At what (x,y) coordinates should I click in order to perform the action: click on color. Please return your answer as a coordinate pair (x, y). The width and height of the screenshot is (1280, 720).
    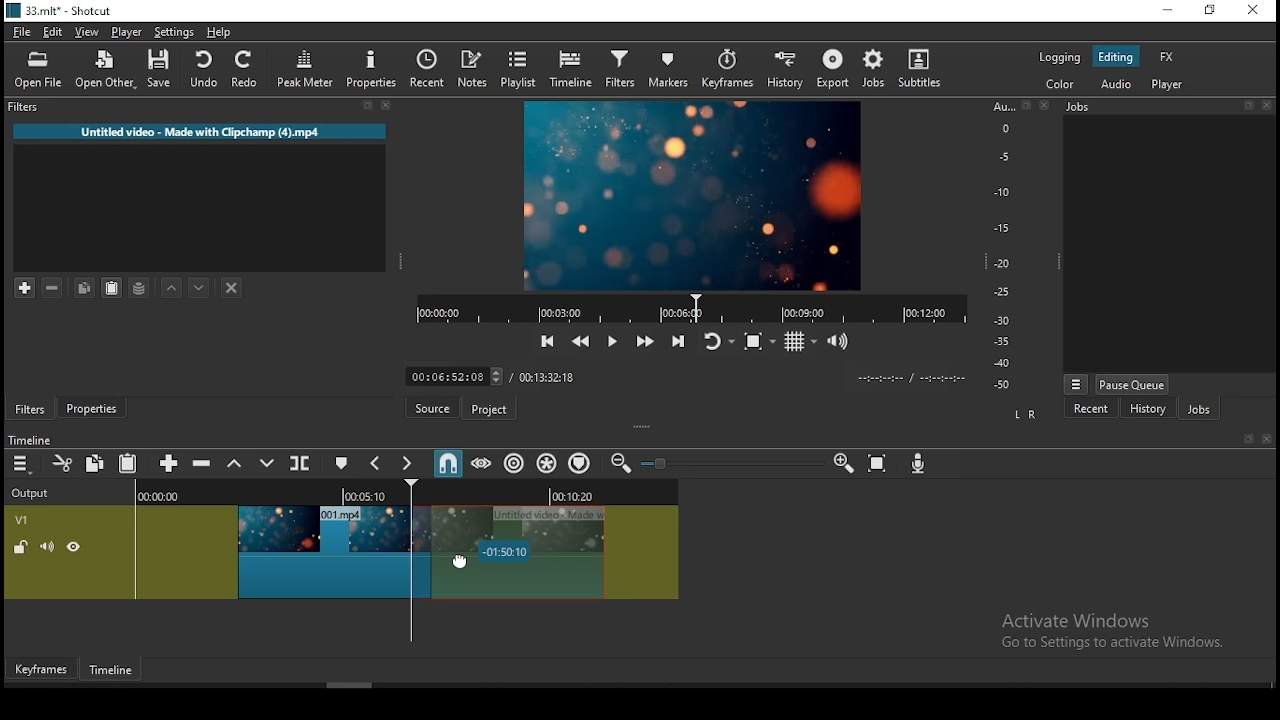
    Looking at the image, I should click on (1051, 86).